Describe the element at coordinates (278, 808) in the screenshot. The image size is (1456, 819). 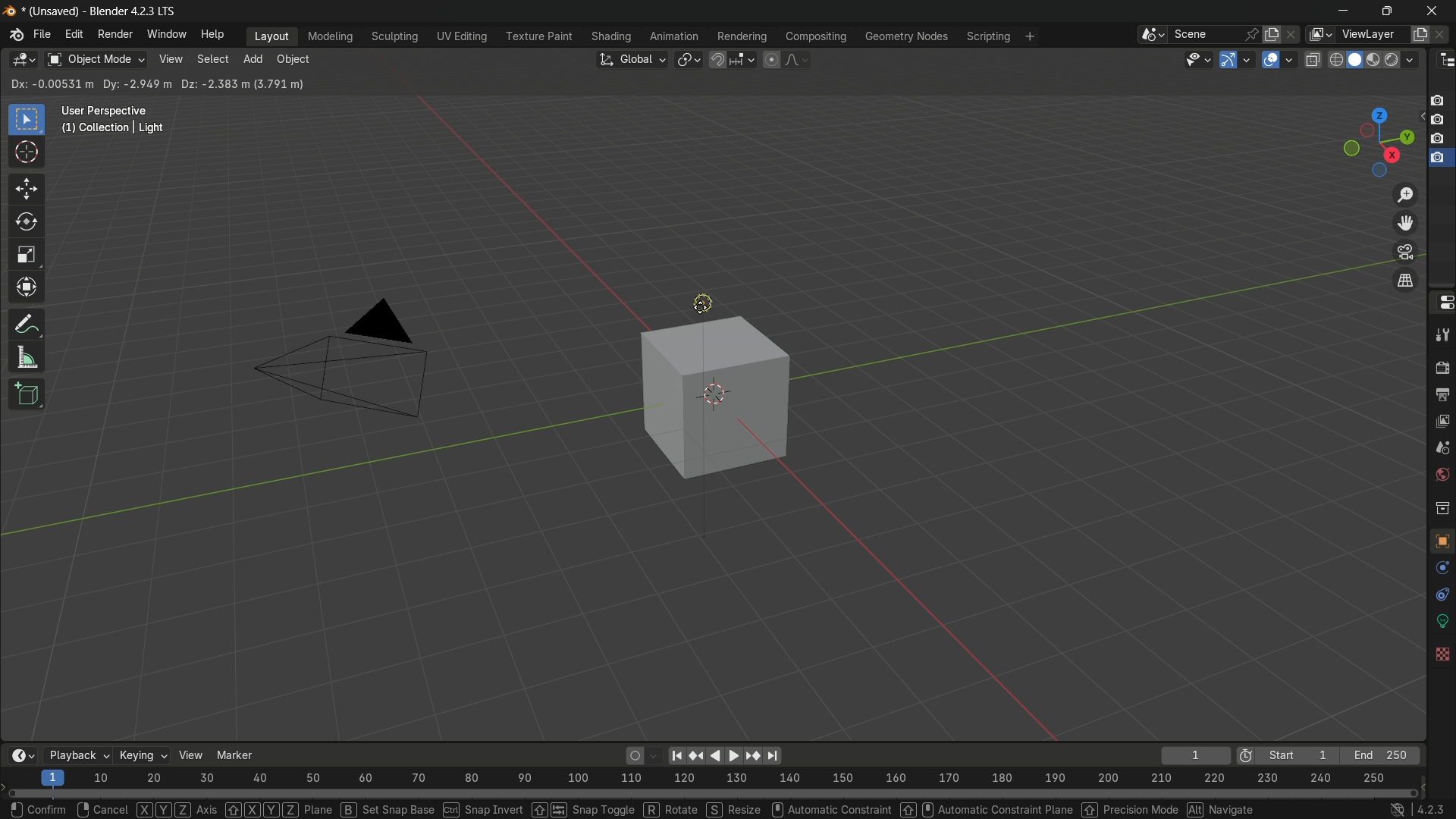
I see `plane` at that location.